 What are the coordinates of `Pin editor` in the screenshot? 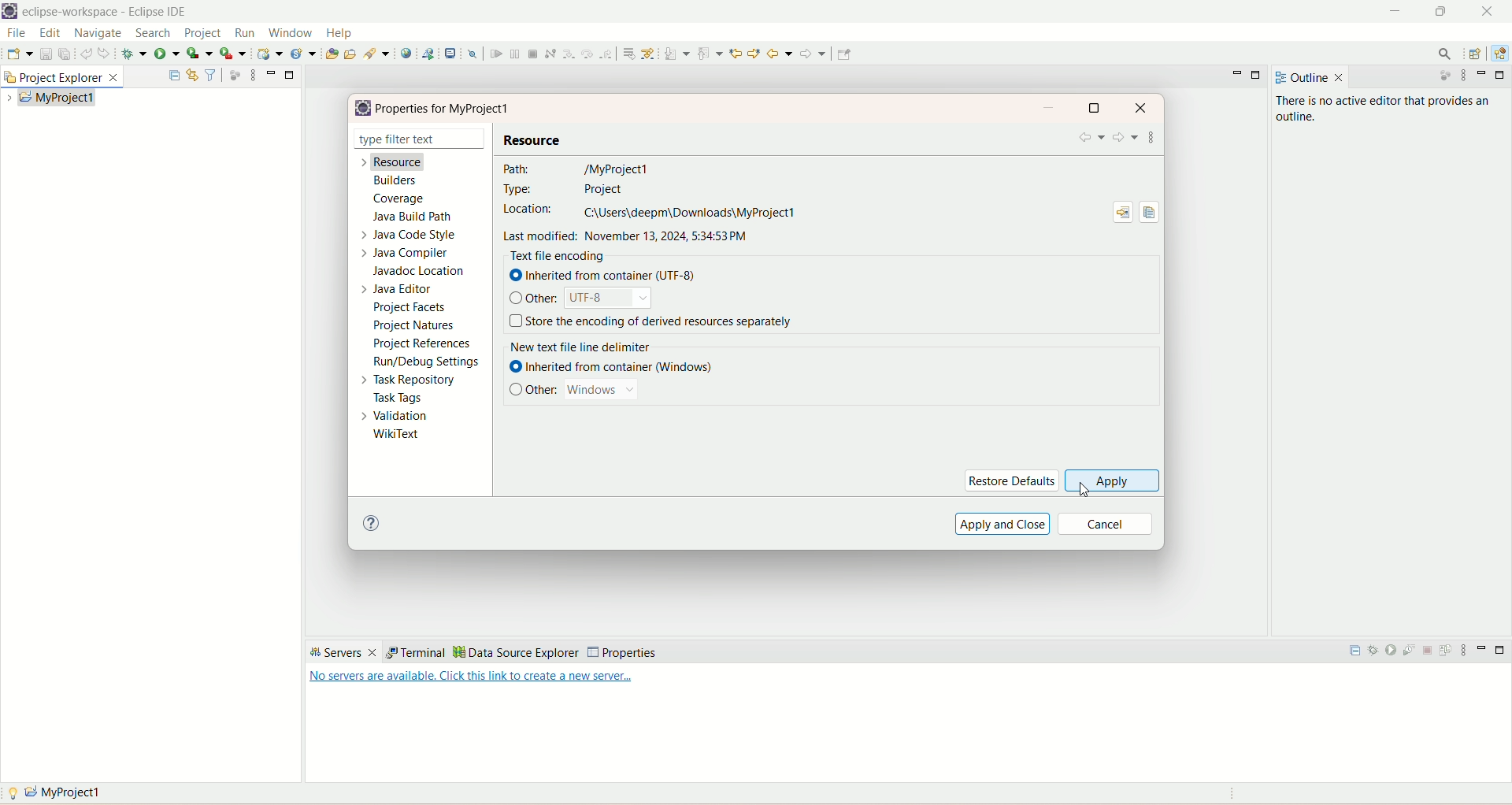 It's located at (845, 54).